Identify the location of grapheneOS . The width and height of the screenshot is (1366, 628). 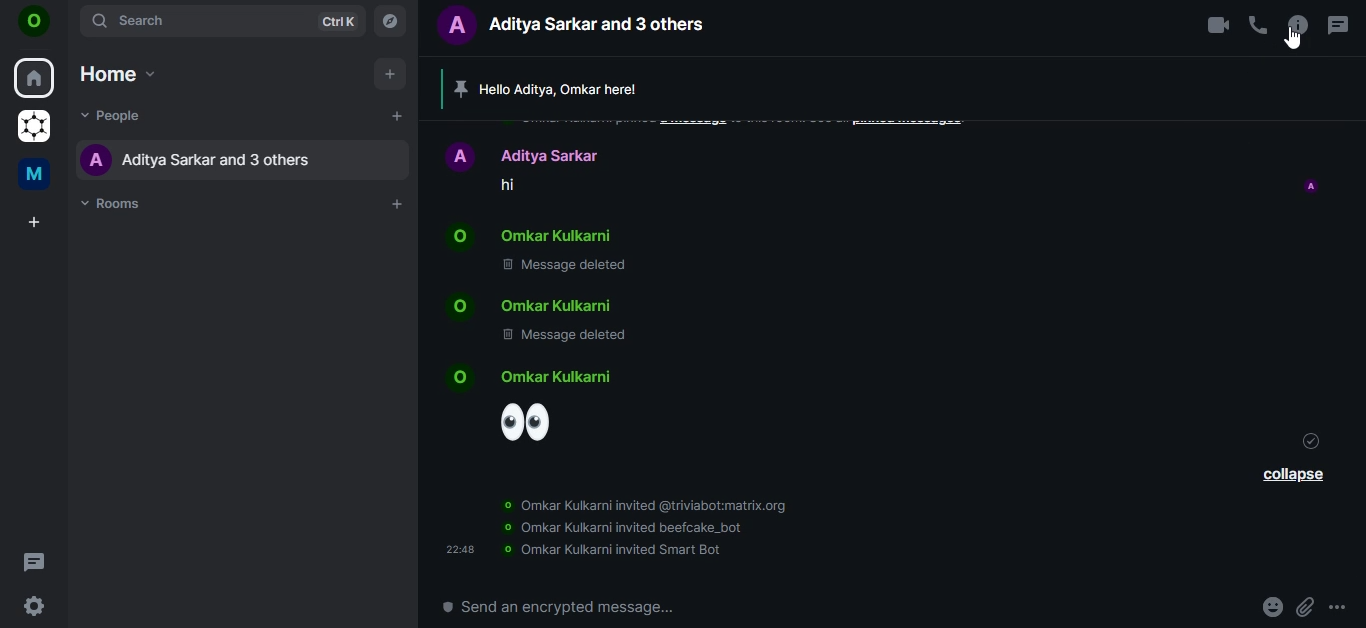
(32, 128).